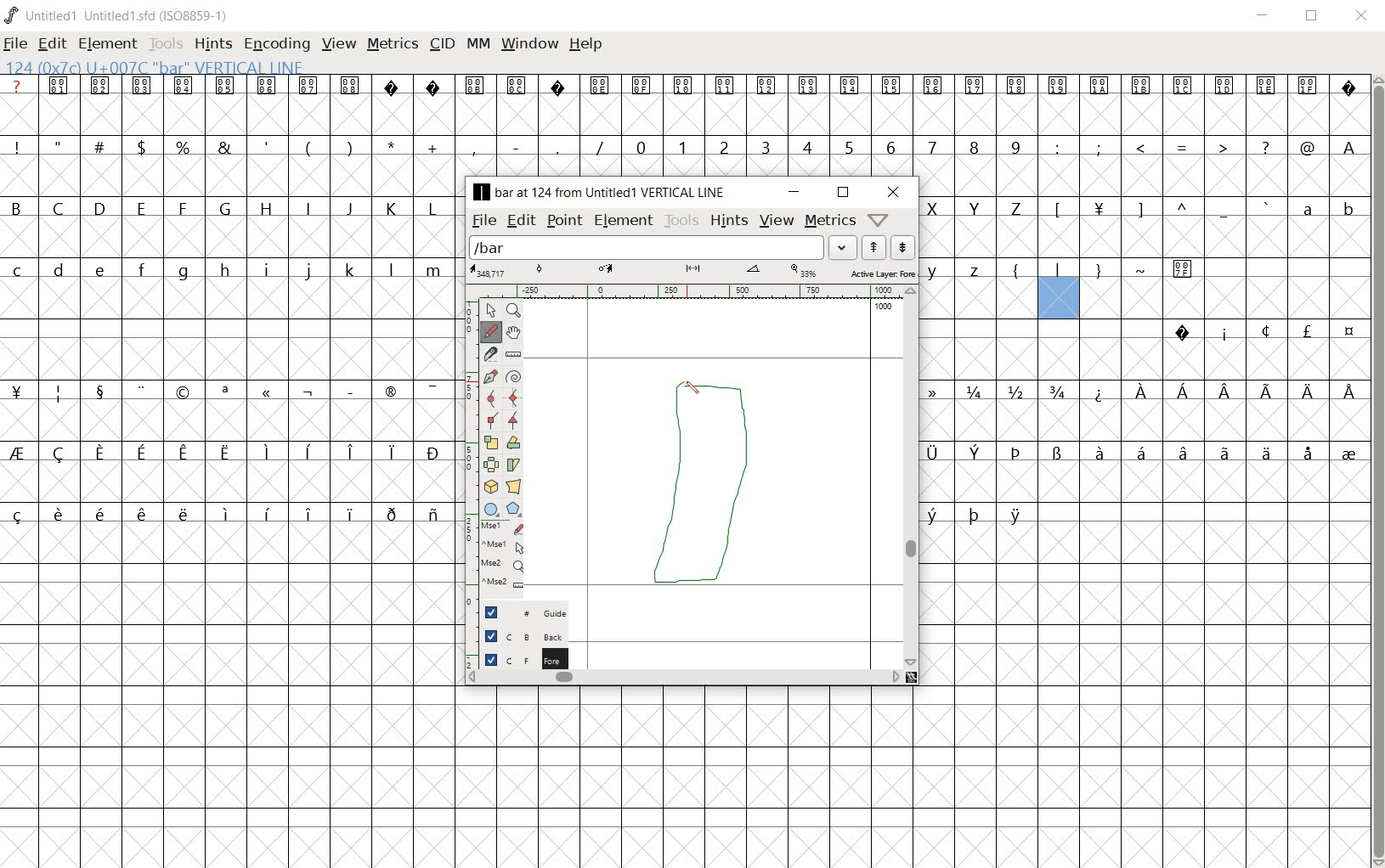  I want to click on letters and symbols, so click(1068, 270).